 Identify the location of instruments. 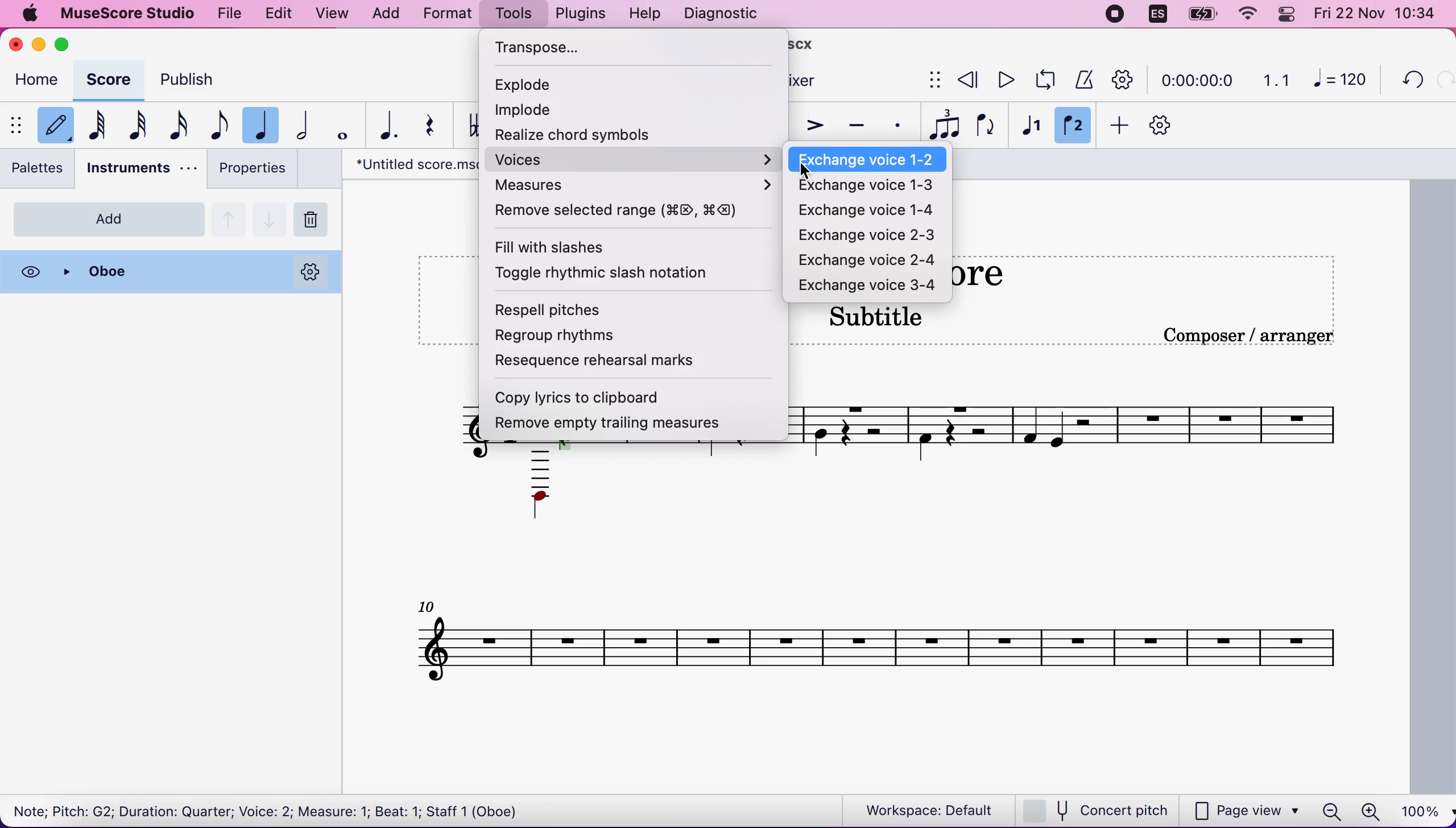
(141, 168).